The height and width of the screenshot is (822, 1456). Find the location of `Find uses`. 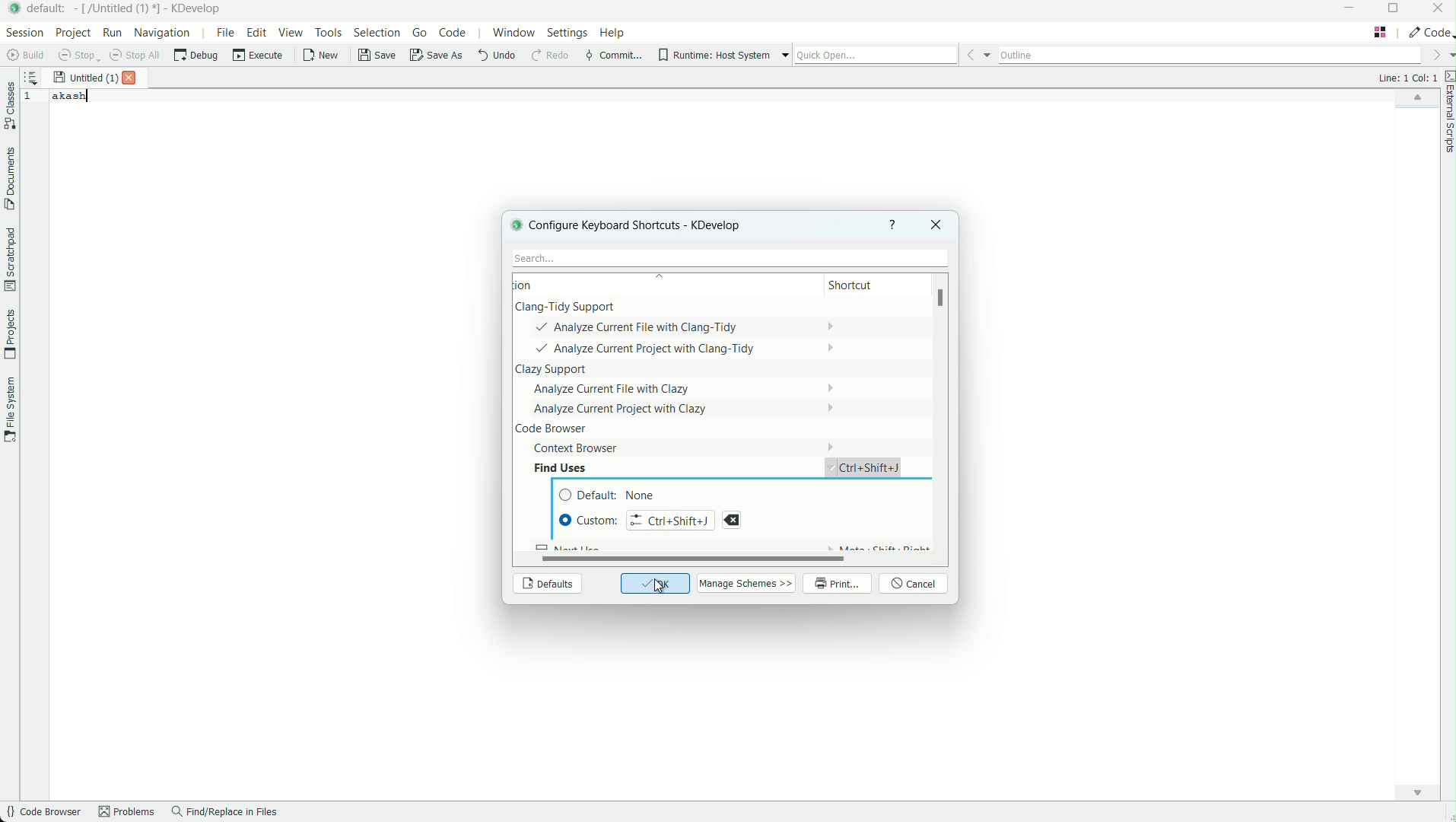

Find uses is located at coordinates (572, 467).